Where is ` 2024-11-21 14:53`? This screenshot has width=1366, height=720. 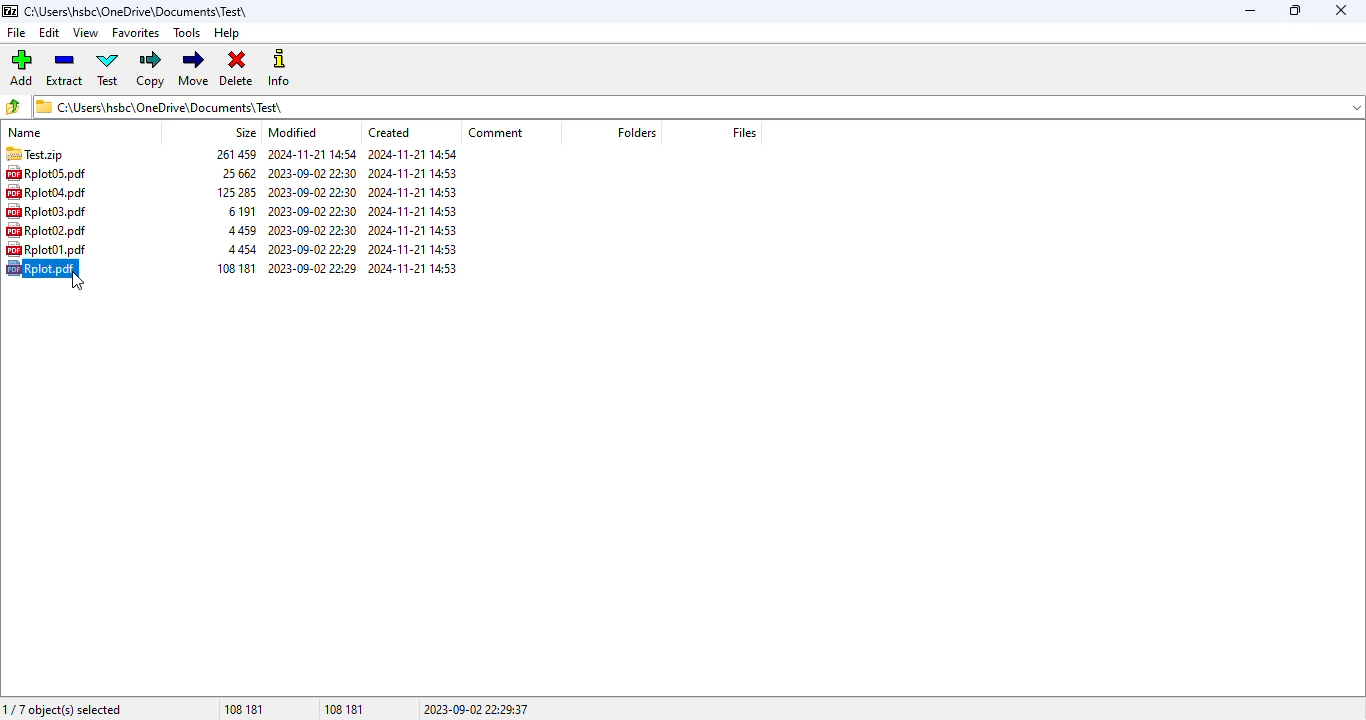
 2024-11-21 14:53 is located at coordinates (413, 213).